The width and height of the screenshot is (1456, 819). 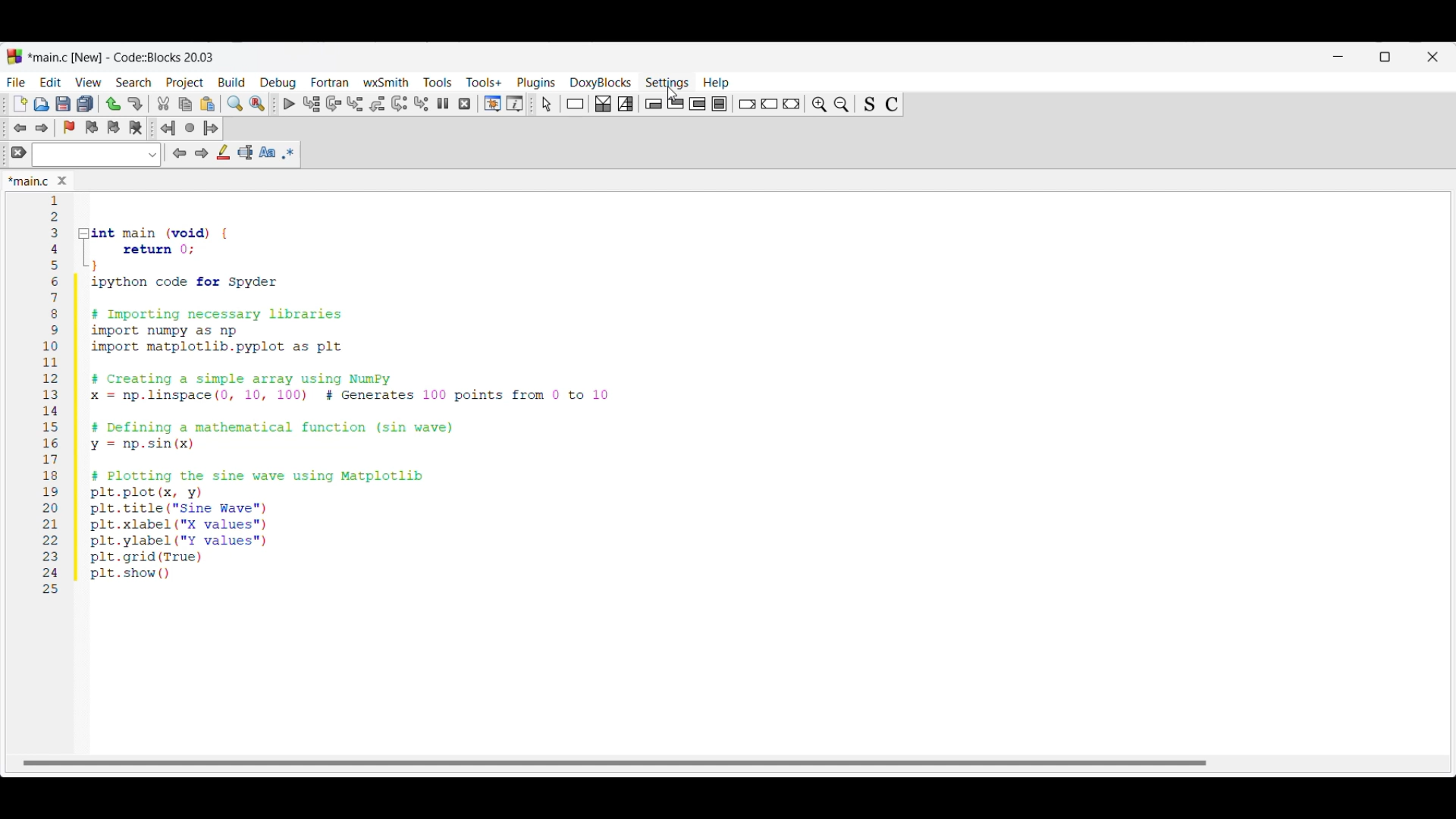 I want to click on Toggle comments, so click(x=892, y=105).